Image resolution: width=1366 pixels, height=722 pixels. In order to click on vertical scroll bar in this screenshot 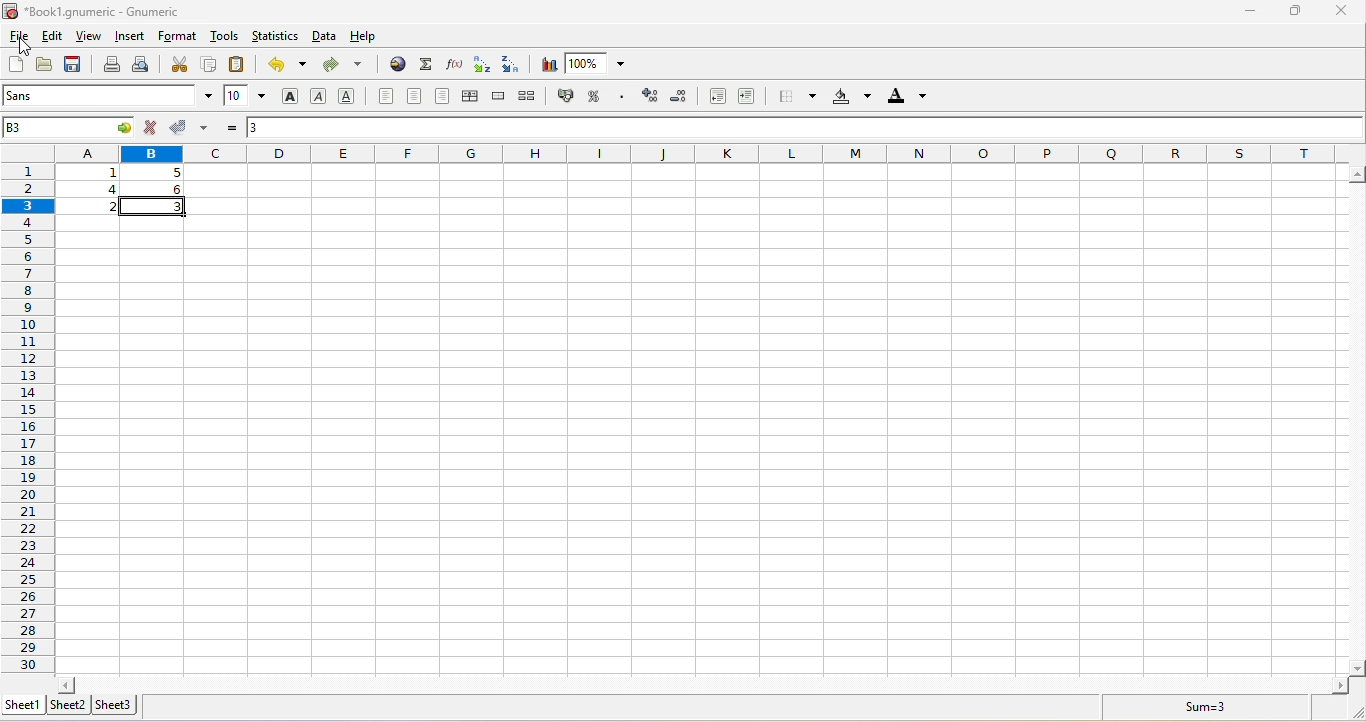, I will do `click(1357, 421)`.